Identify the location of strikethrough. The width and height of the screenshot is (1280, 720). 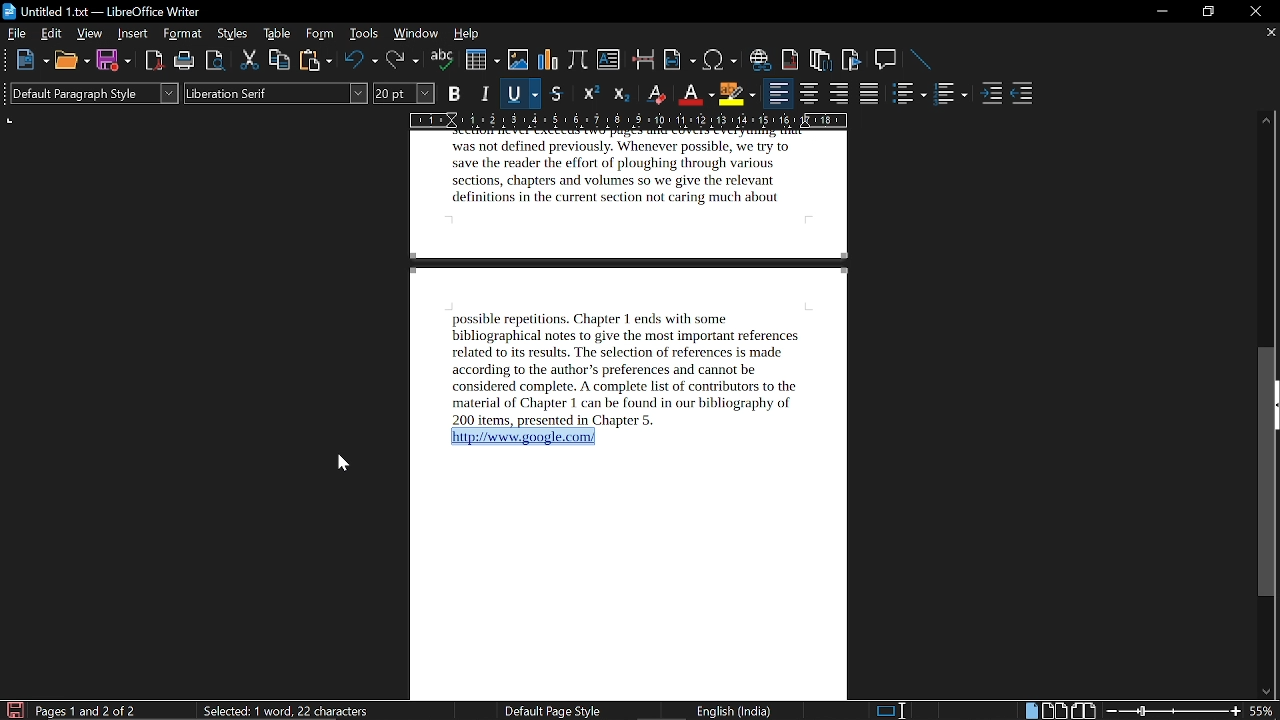
(556, 94).